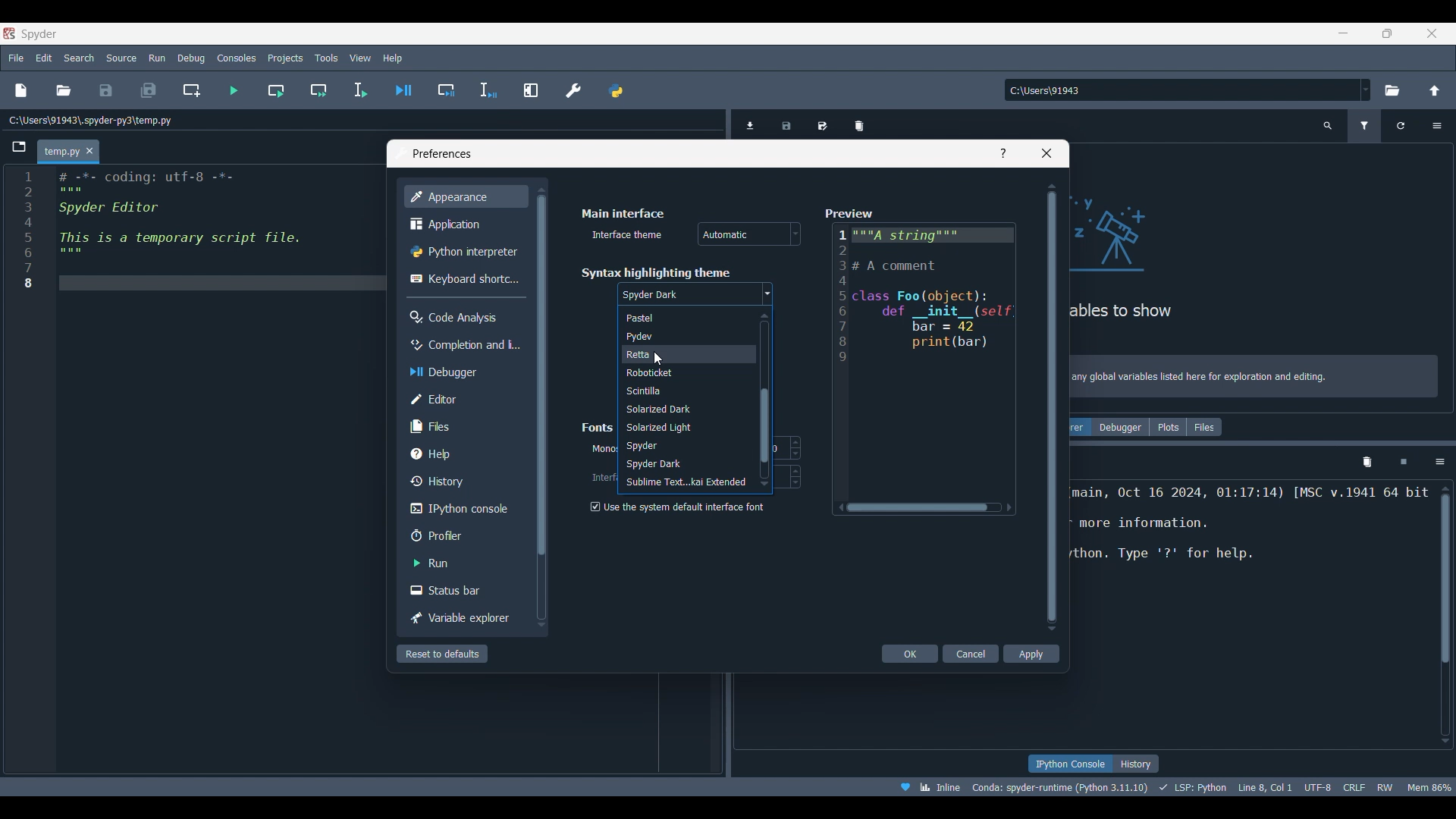 Image resolution: width=1456 pixels, height=819 pixels. I want to click on rw, so click(1386, 786).